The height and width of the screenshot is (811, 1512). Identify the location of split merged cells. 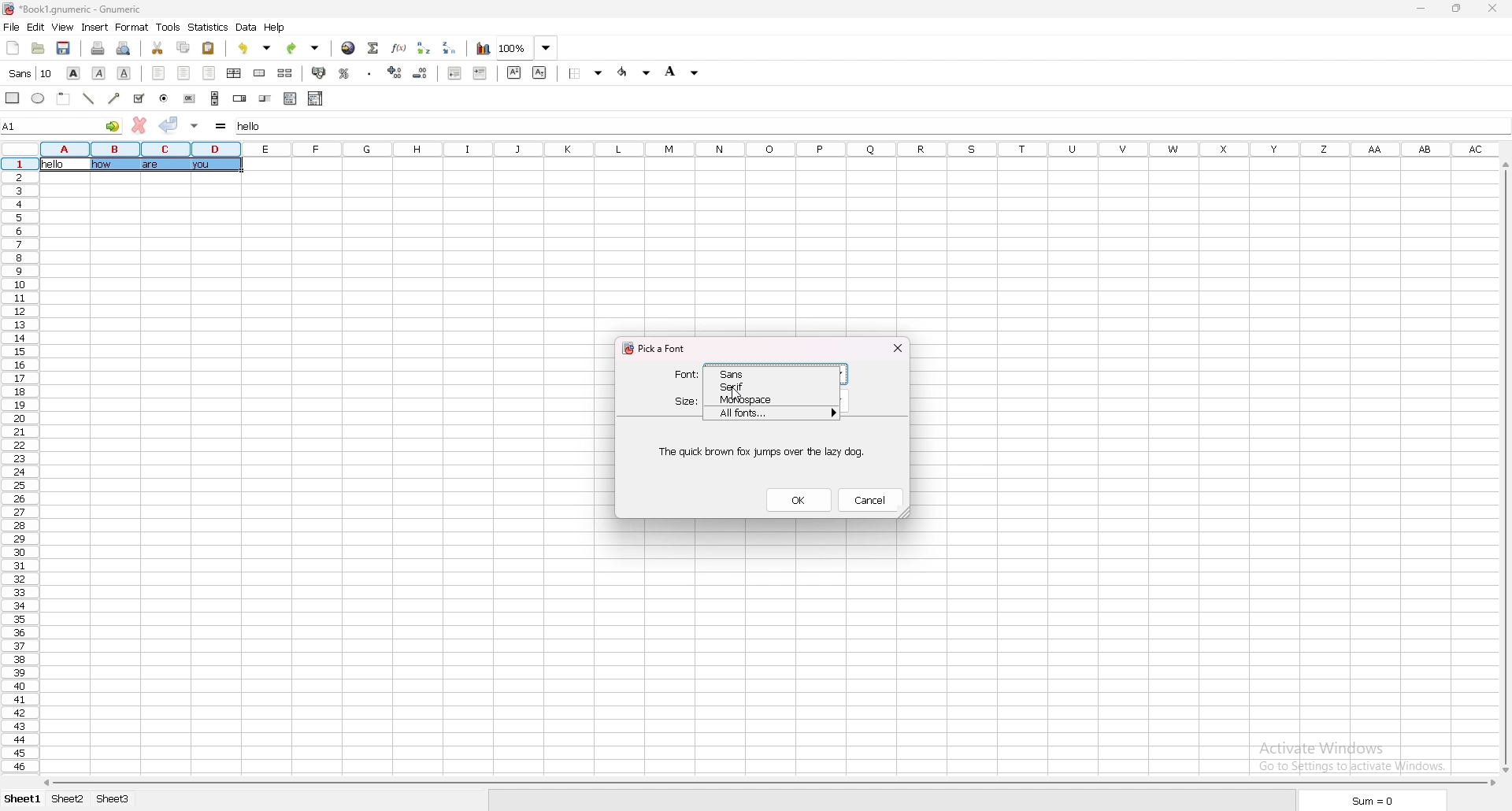
(285, 73).